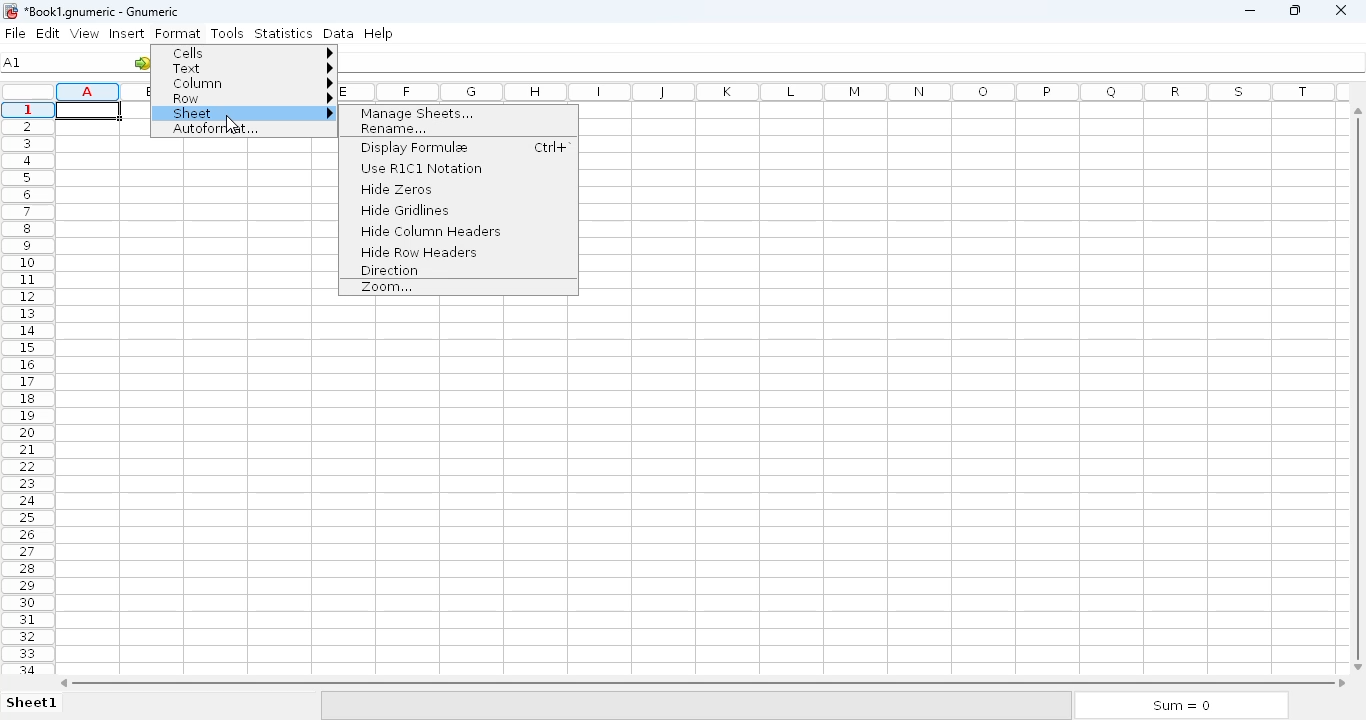 The image size is (1366, 720). What do you see at coordinates (847, 92) in the screenshot?
I see `columns` at bounding box center [847, 92].